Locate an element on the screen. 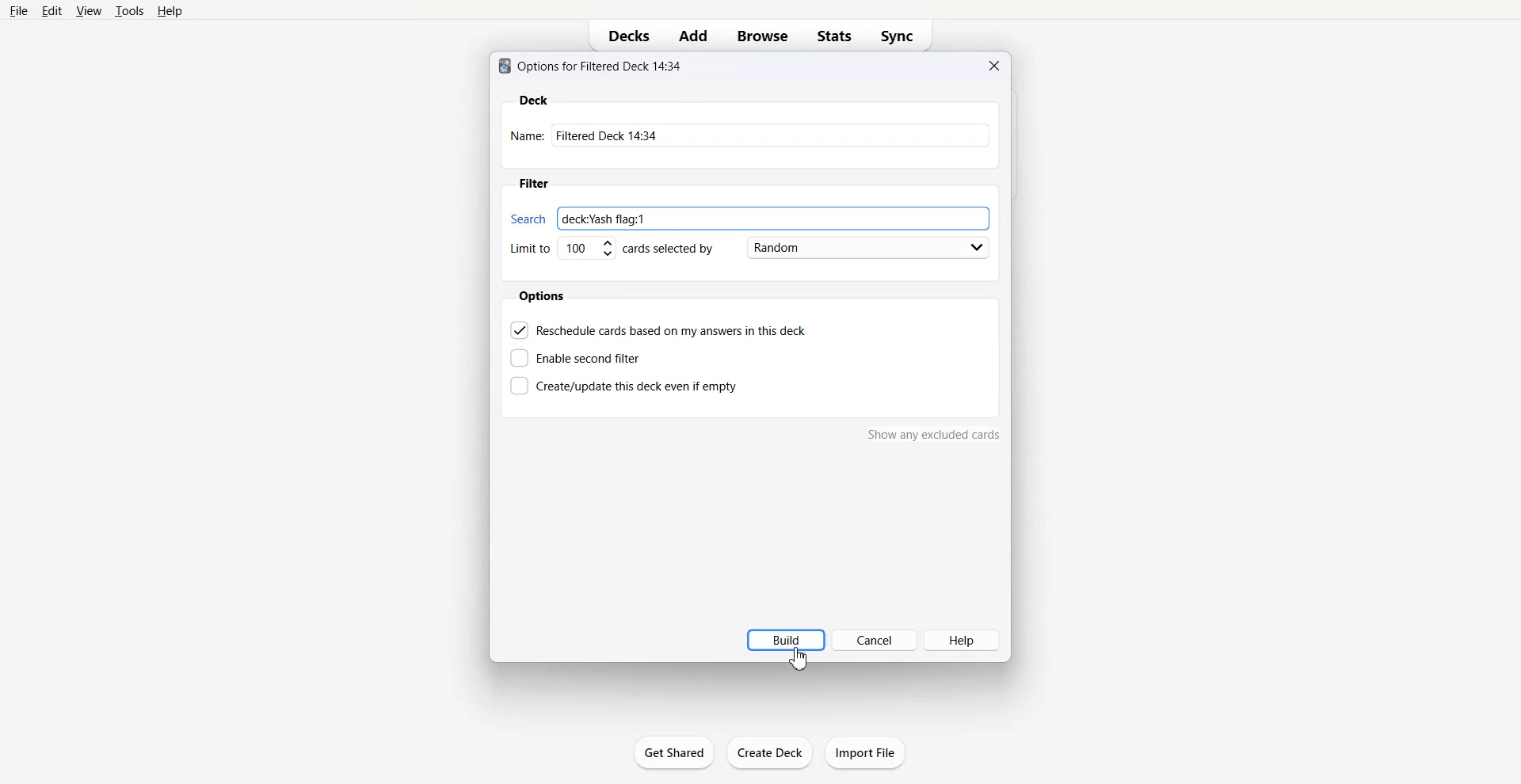 Image resolution: width=1521 pixels, height=784 pixels. Search is located at coordinates (529, 219).